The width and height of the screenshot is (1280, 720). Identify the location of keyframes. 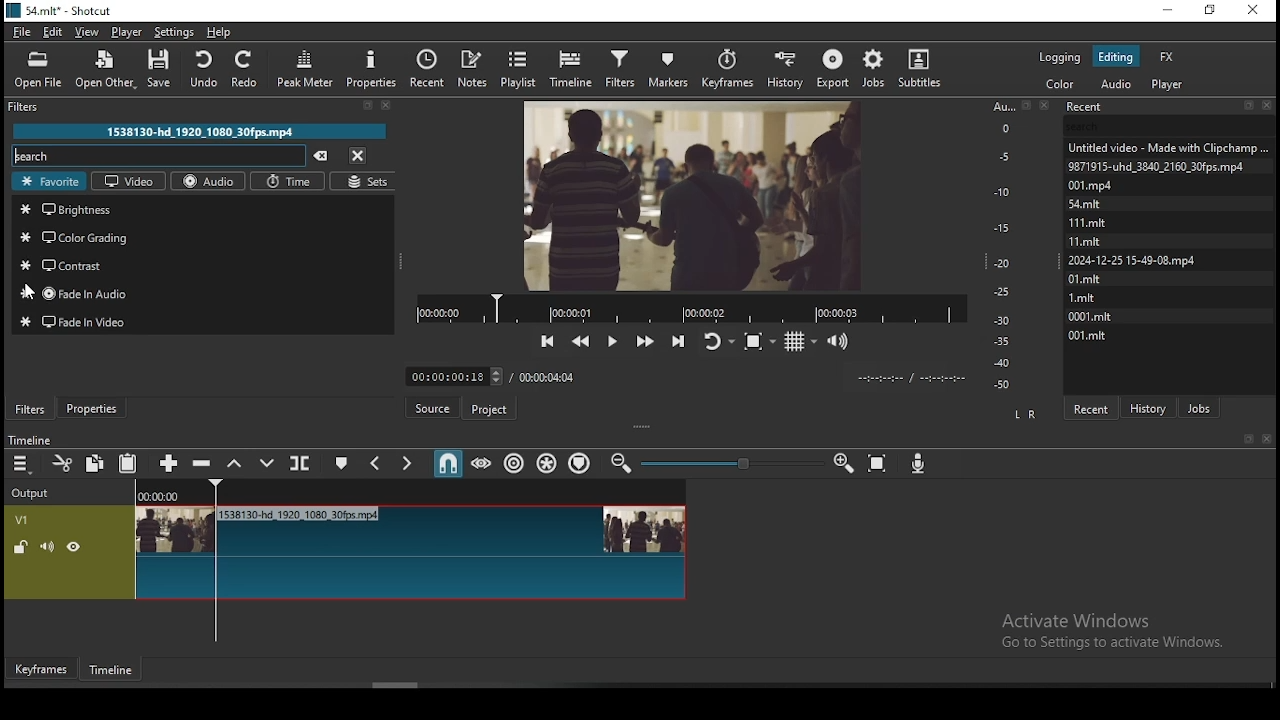
(726, 69).